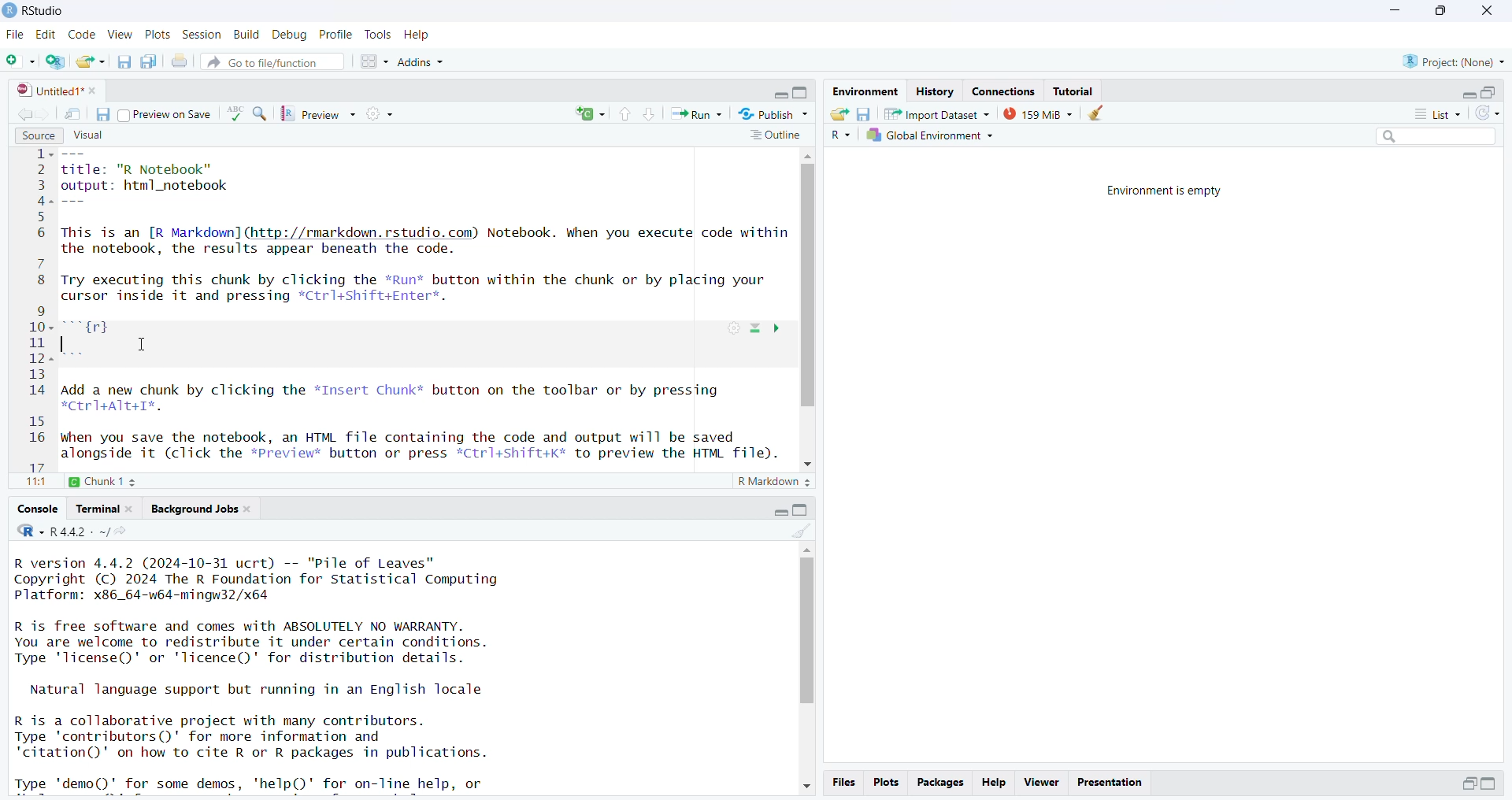 Image resolution: width=1512 pixels, height=800 pixels. I want to click on save current document, so click(103, 113).